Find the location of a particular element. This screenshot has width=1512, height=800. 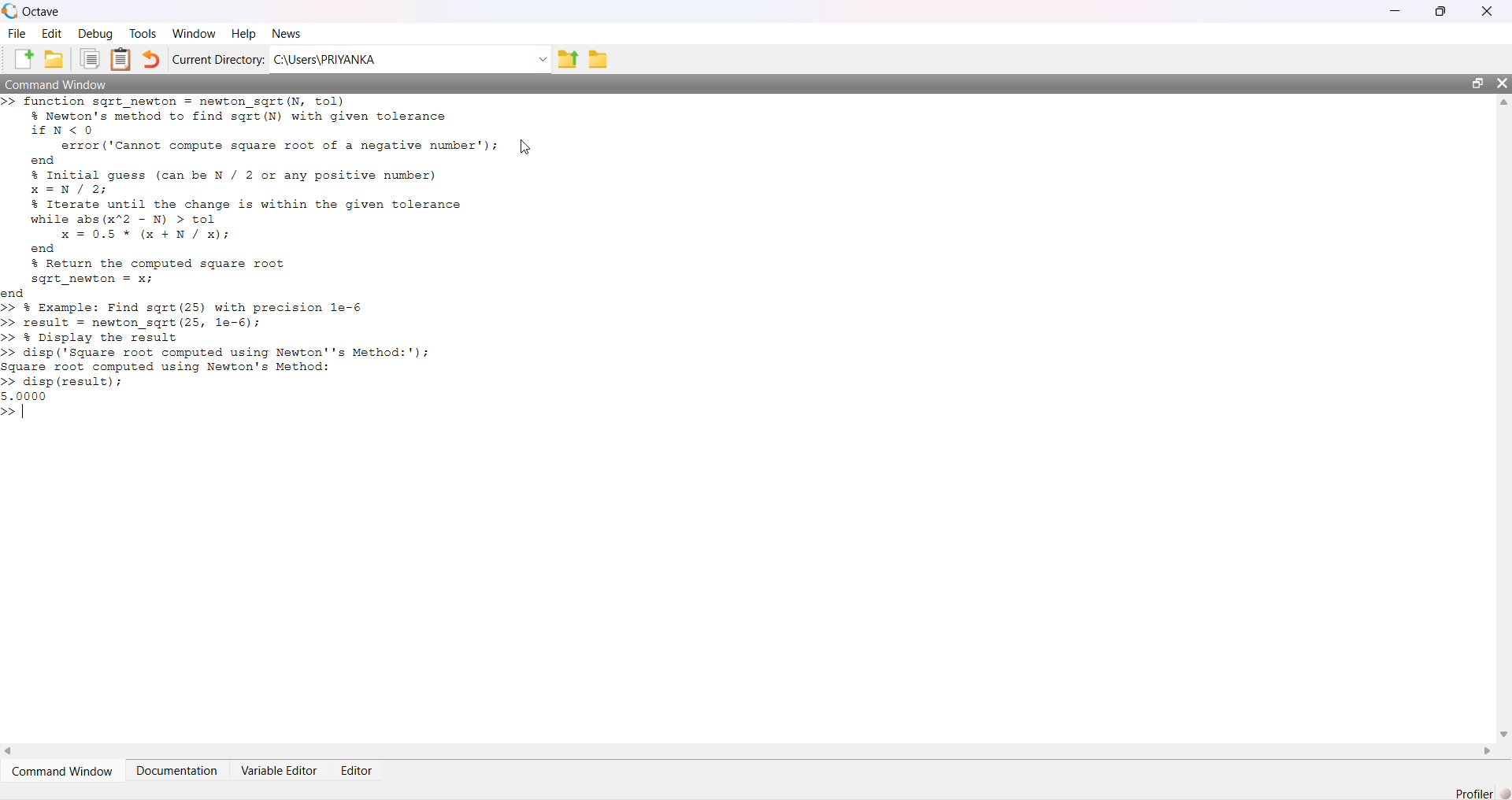

> function sqrt_newton = newton_sqrt(N, tol)
% Newton's method to find sqrt (N) with given tolerance
IEN<O
error ('Cannot compute square root of a negative number'); [y
end
% Initial guess (can be N / 2 or any positive number)
x=N/ 2;
% Iterate until the change is within the given tolerance
while abs(x*2 - N) > tol
x =0.5% (x +N/ x);
end
% Return the computed square root
sqrt_newton = x;
nd
> % Example: Find sqrt (25) with precision le-6
> result = newton_sqrt (25, 1e-6);
> % Display the result
> disp ('Square root computed using Newton''s Method: ');
quare root computed using Newton's Method:
> disp (result);
1.0000
> is located at coordinates (298, 270).